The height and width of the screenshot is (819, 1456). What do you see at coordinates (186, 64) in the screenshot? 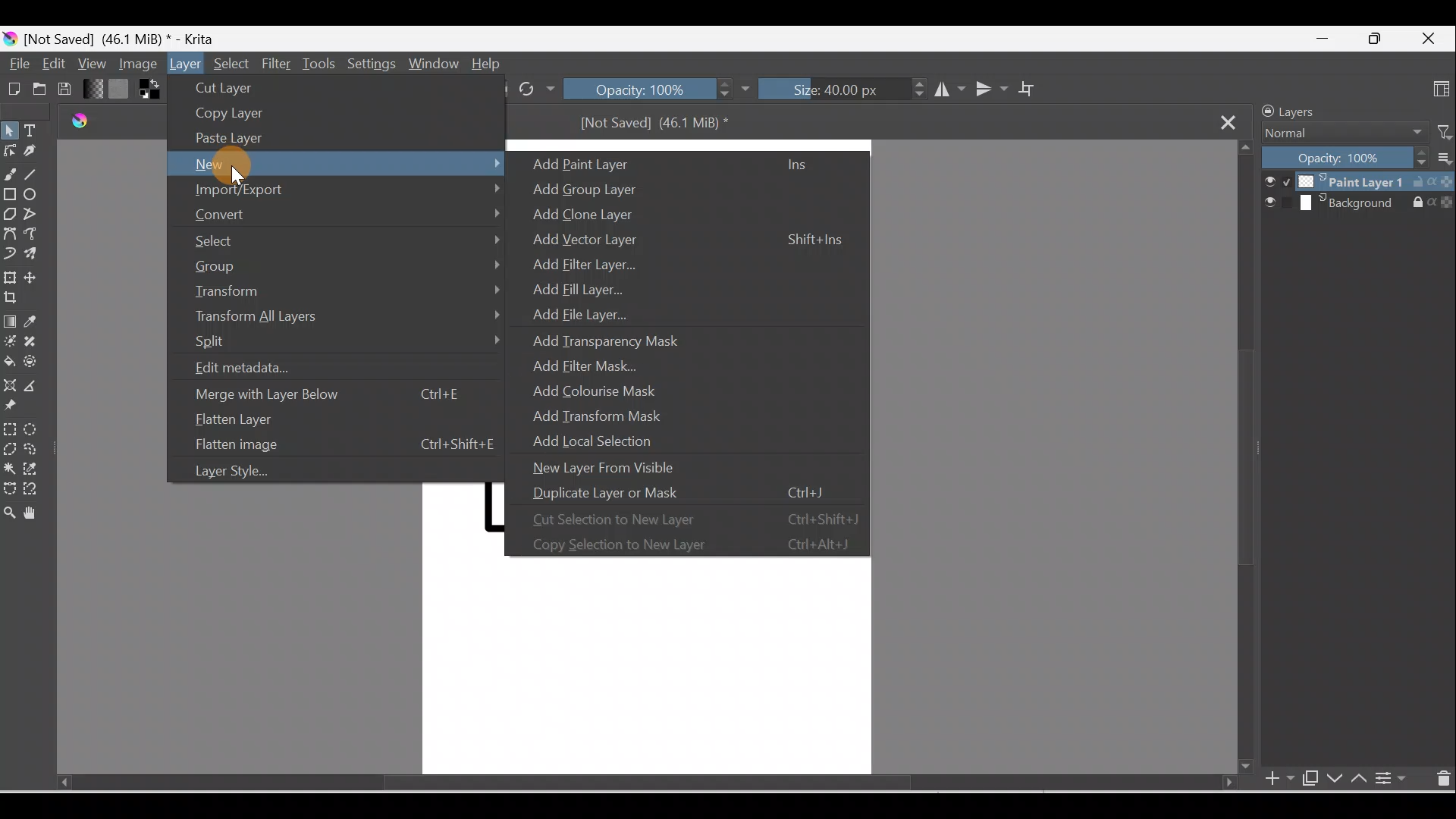
I see `Layer` at bounding box center [186, 64].